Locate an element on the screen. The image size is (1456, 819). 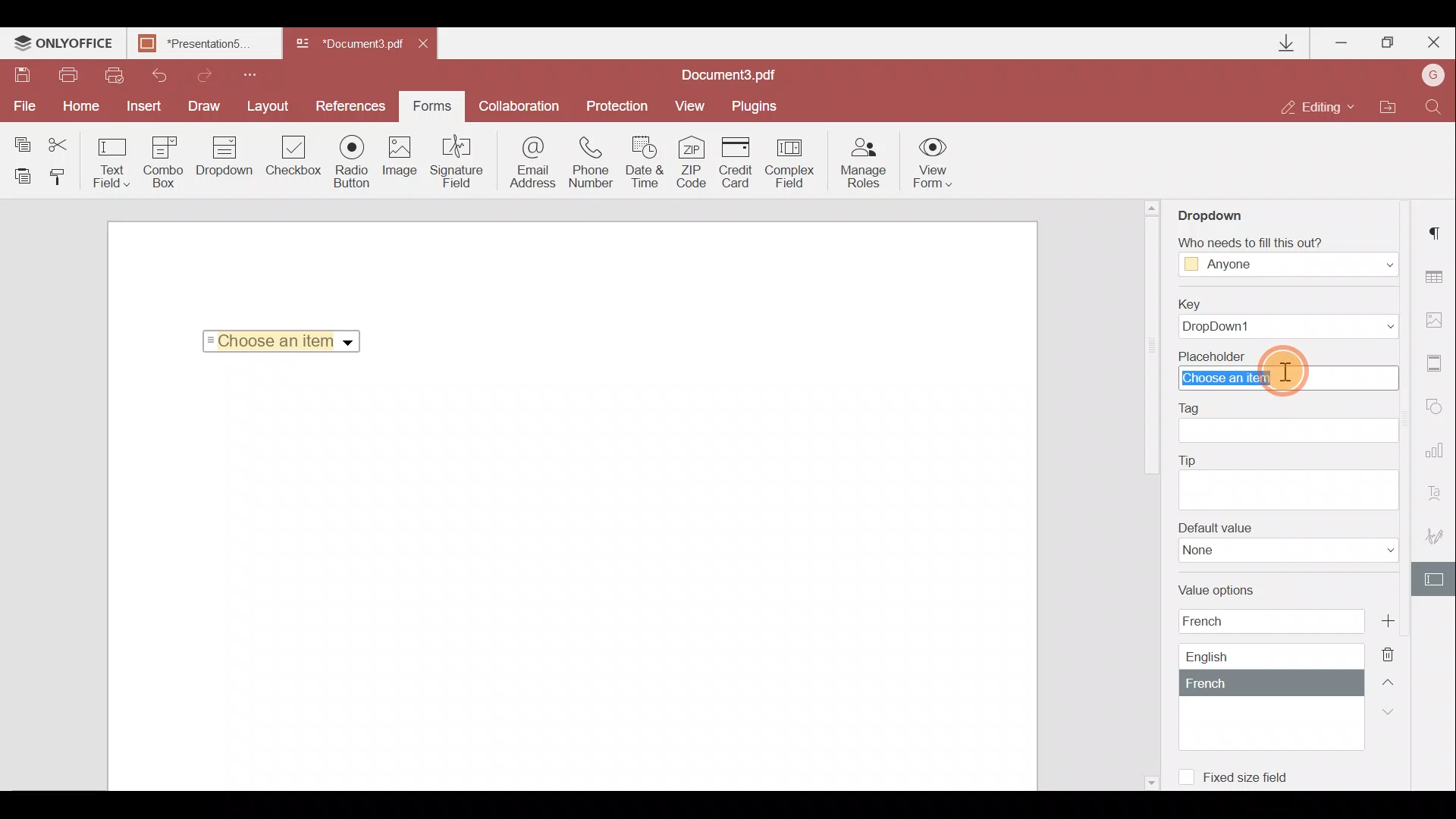
Document3.pdf is located at coordinates (349, 45).